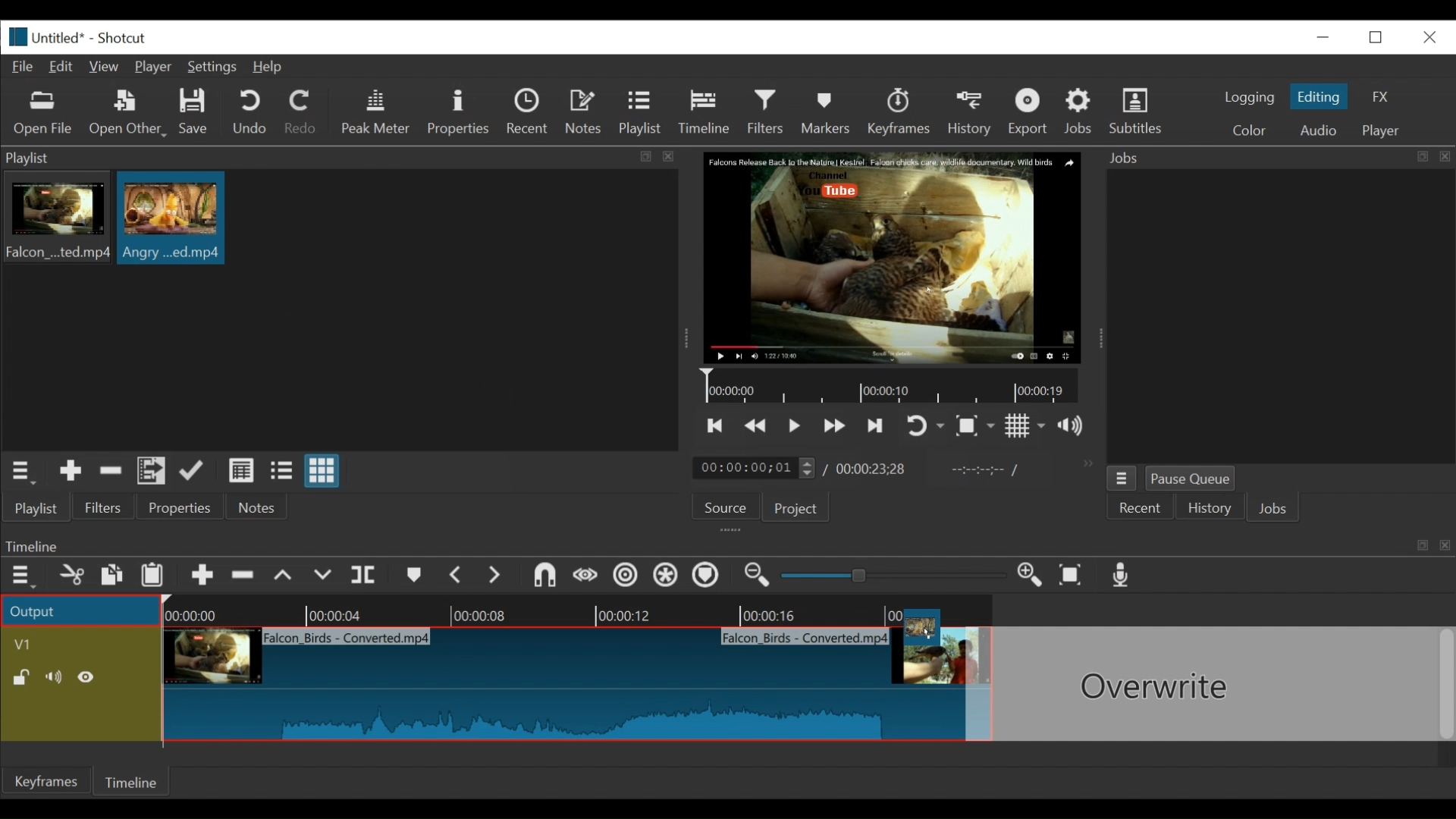  Describe the element at coordinates (1032, 576) in the screenshot. I see `Zoom in` at that location.